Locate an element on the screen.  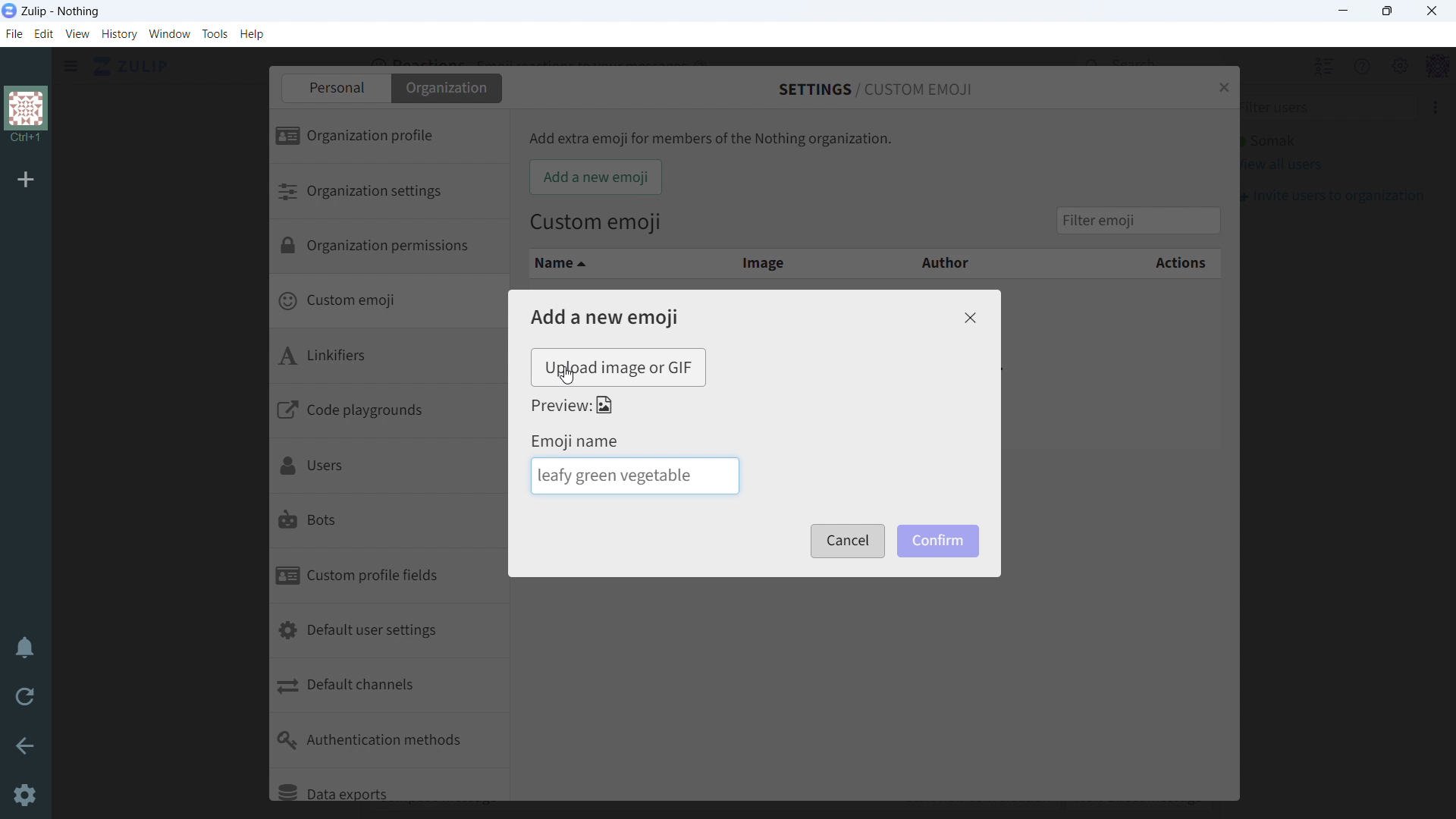
bots is located at coordinates (390, 522).